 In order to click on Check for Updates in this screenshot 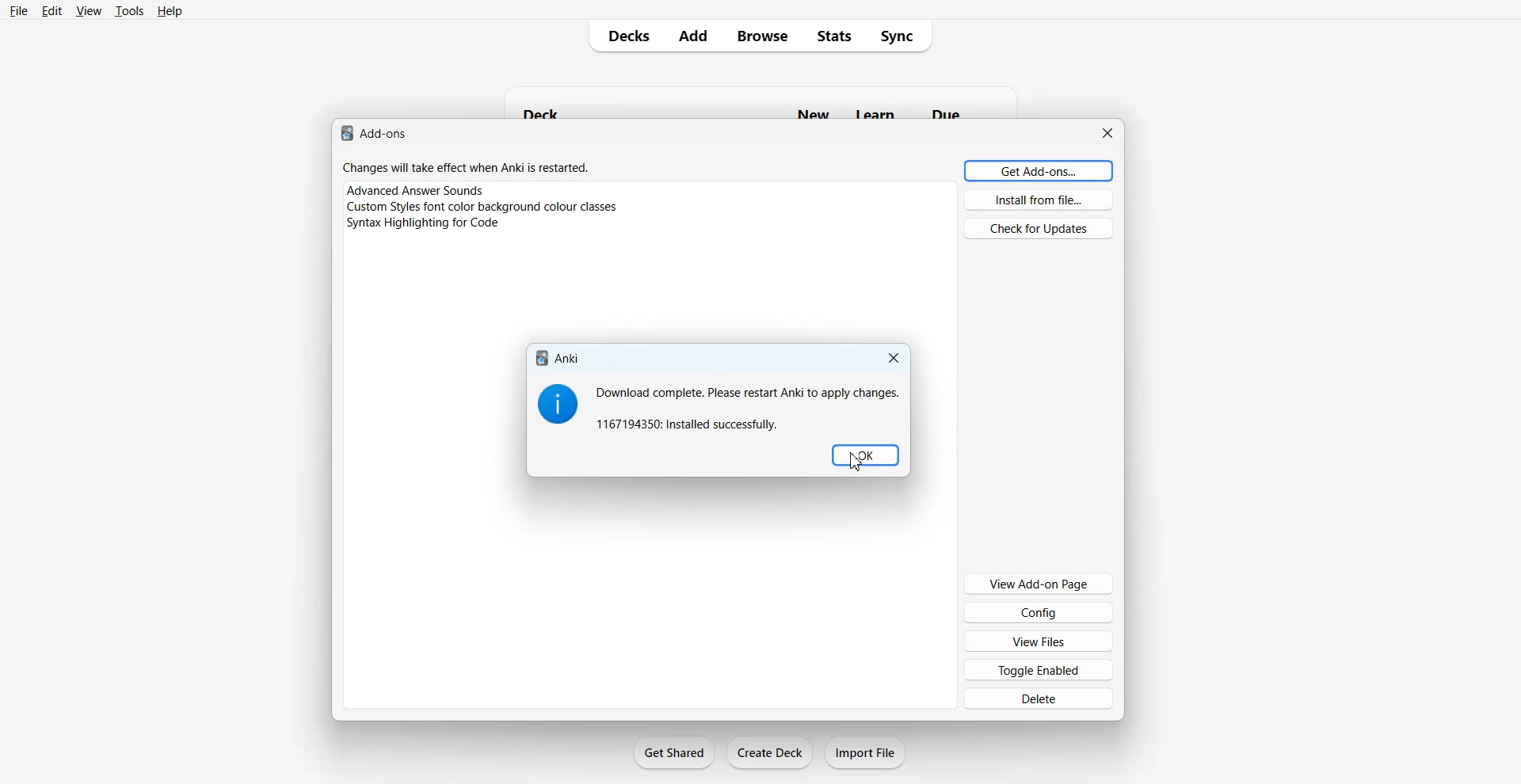, I will do `click(1038, 228)`.